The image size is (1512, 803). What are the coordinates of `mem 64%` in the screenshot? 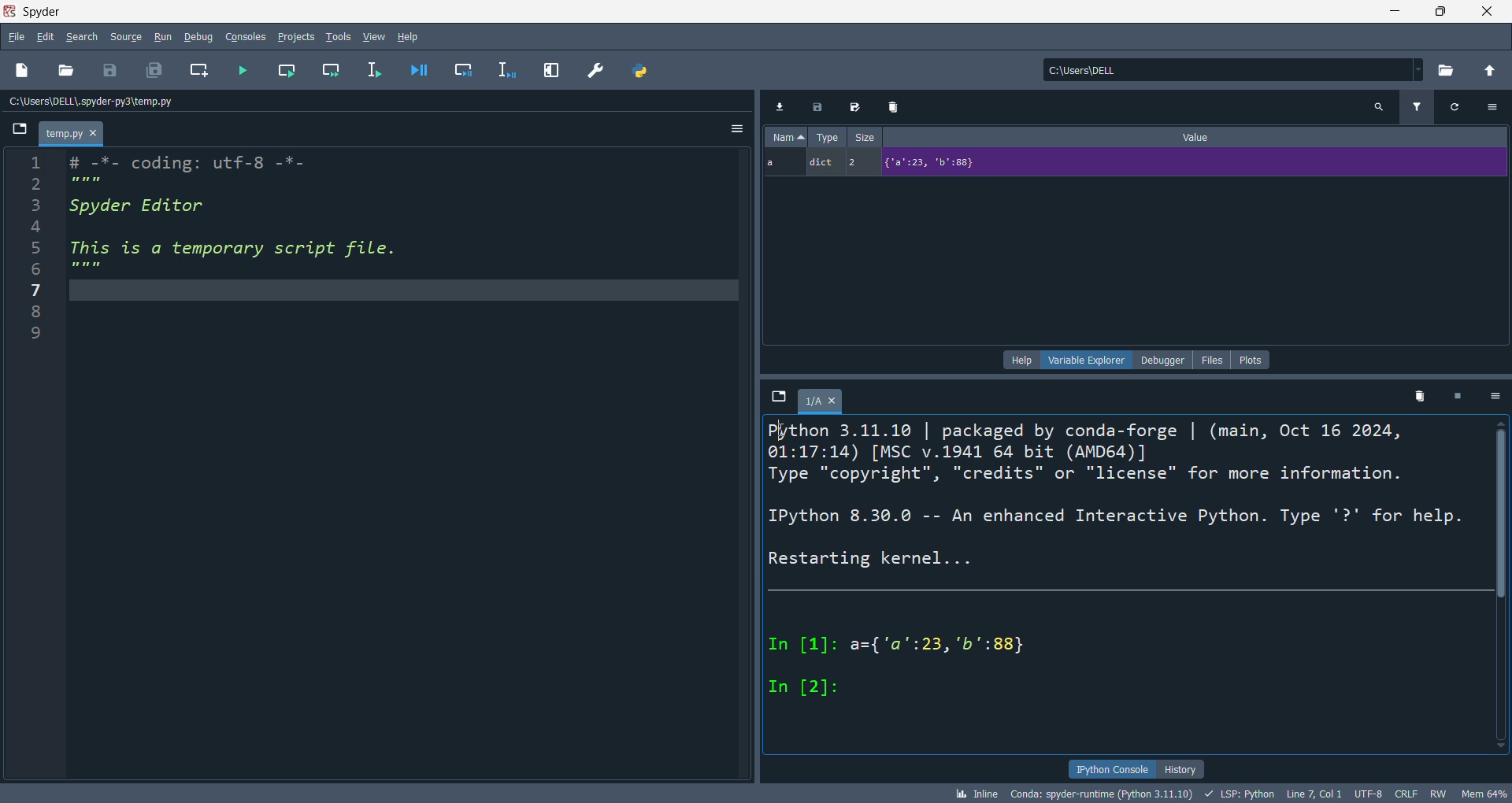 It's located at (1484, 793).